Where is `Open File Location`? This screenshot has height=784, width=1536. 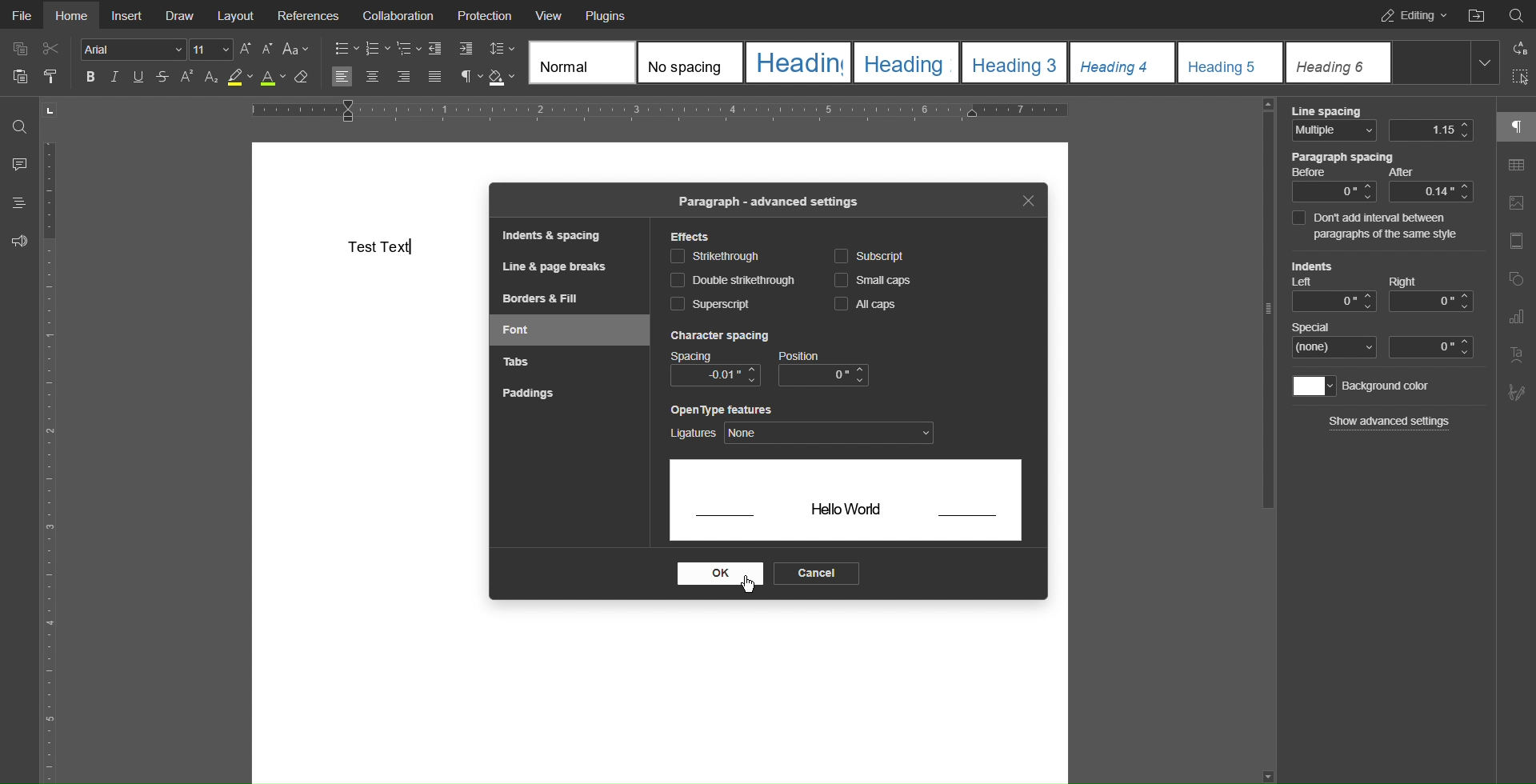
Open File Location is located at coordinates (1475, 14).